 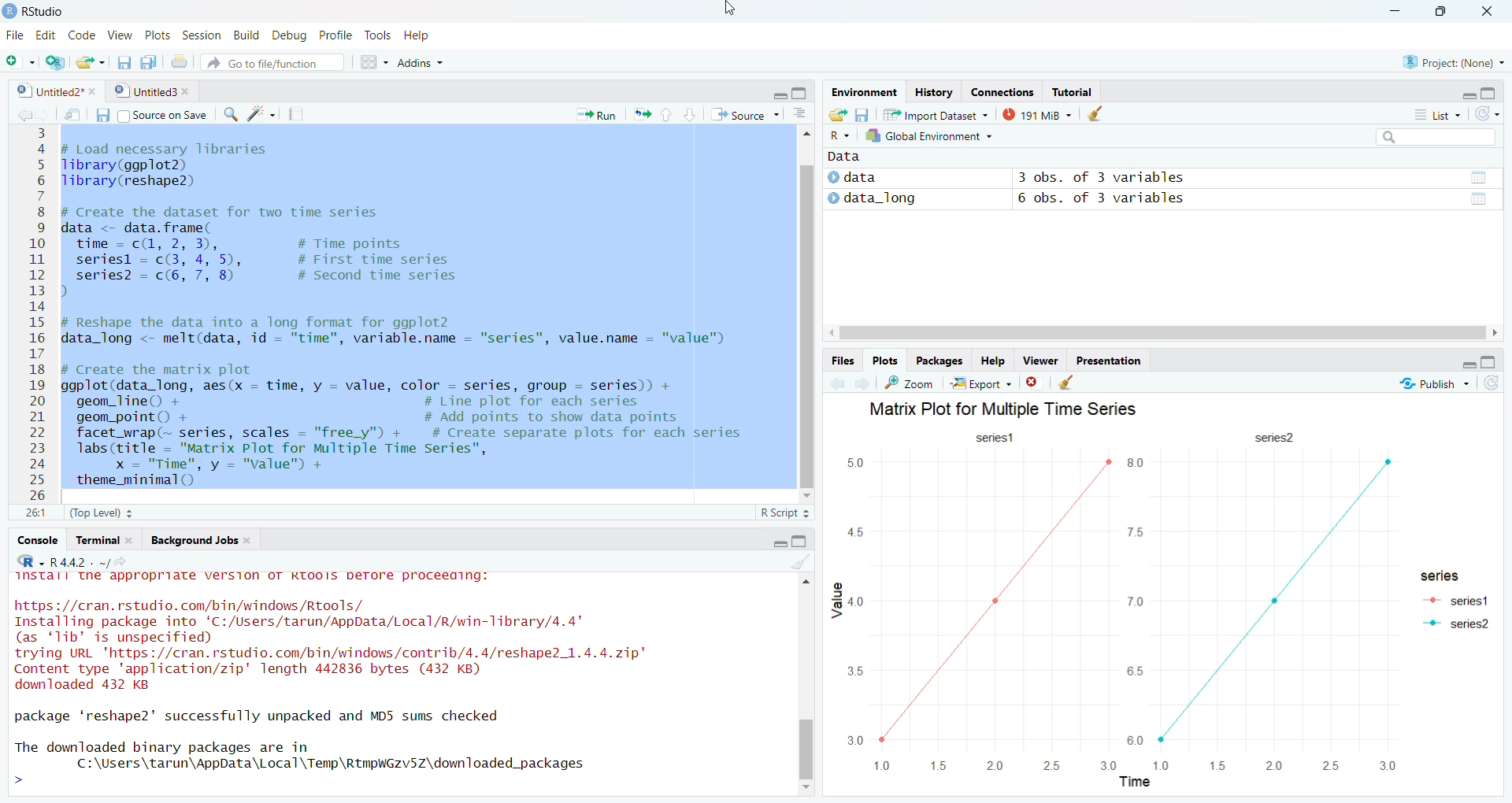 What do you see at coordinates (936, 135) in the screenshot?
I see `Global Environment ` at bounding box center [936, 135].